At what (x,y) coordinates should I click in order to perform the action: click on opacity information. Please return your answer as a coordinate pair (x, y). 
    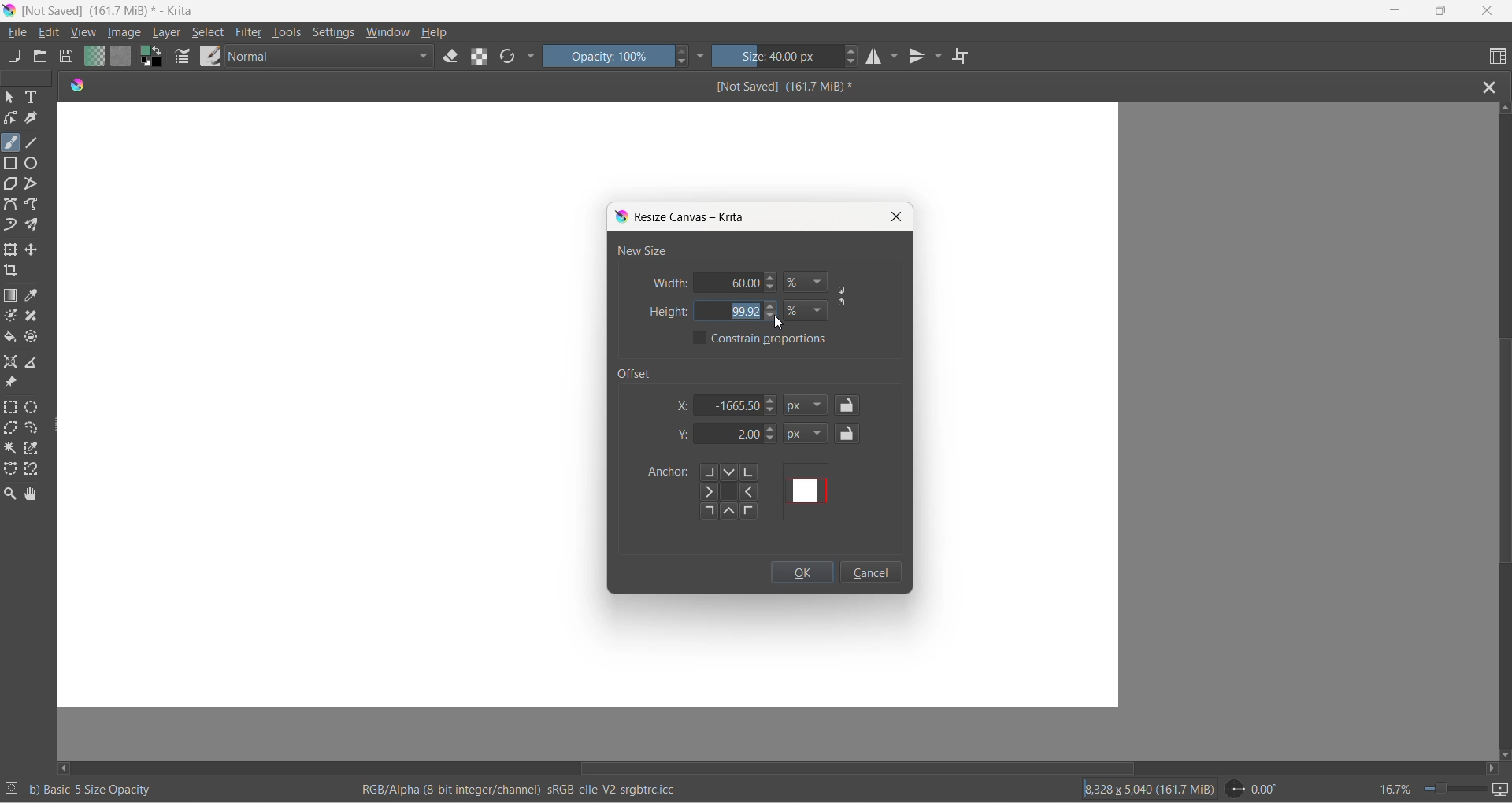
    Looking at the image, I should click on (92, 790).